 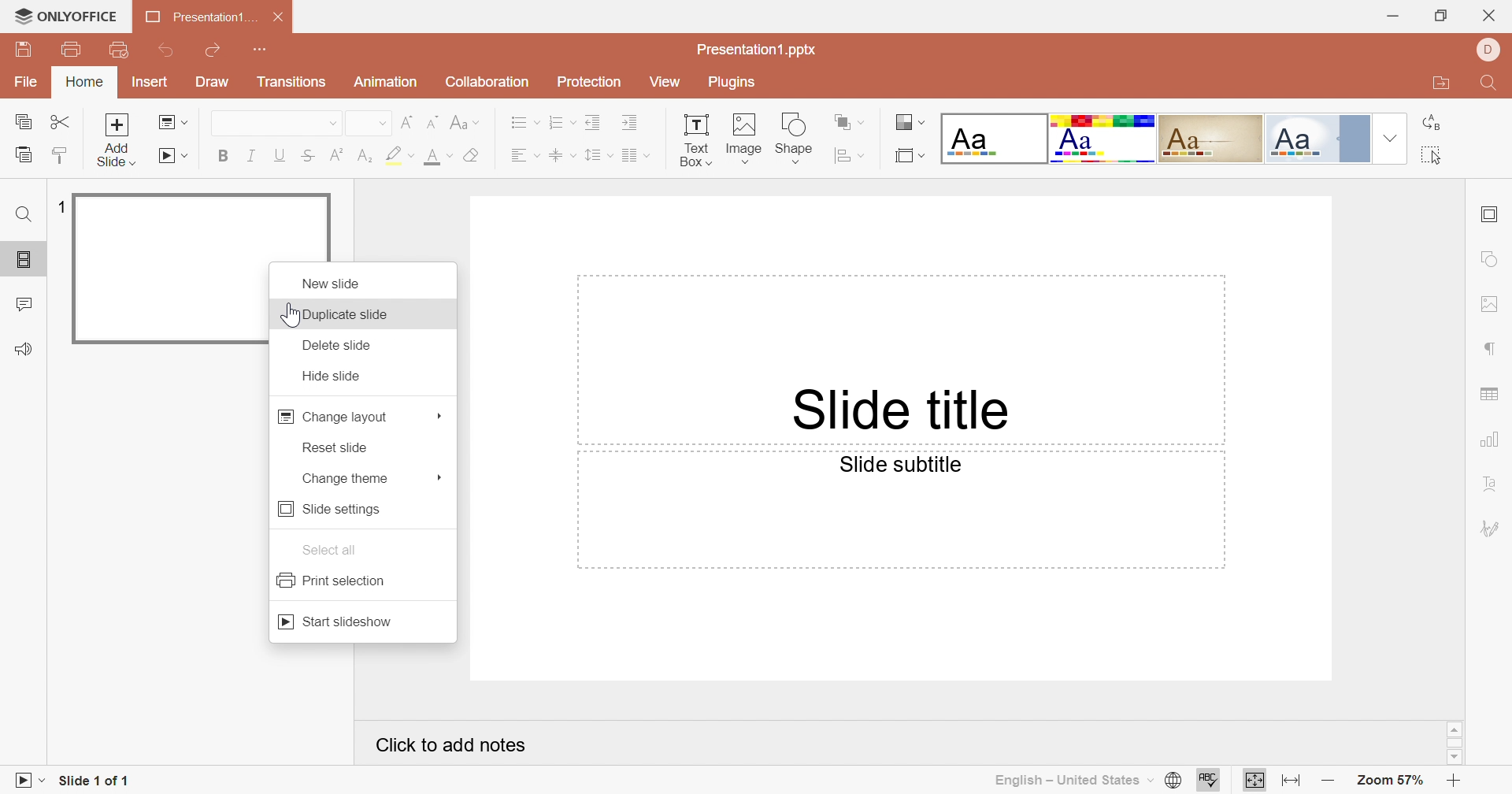 What do you see at coordinates (794, 138) in the screenshot?
I see `Shape` at bounding box center [794, 138].